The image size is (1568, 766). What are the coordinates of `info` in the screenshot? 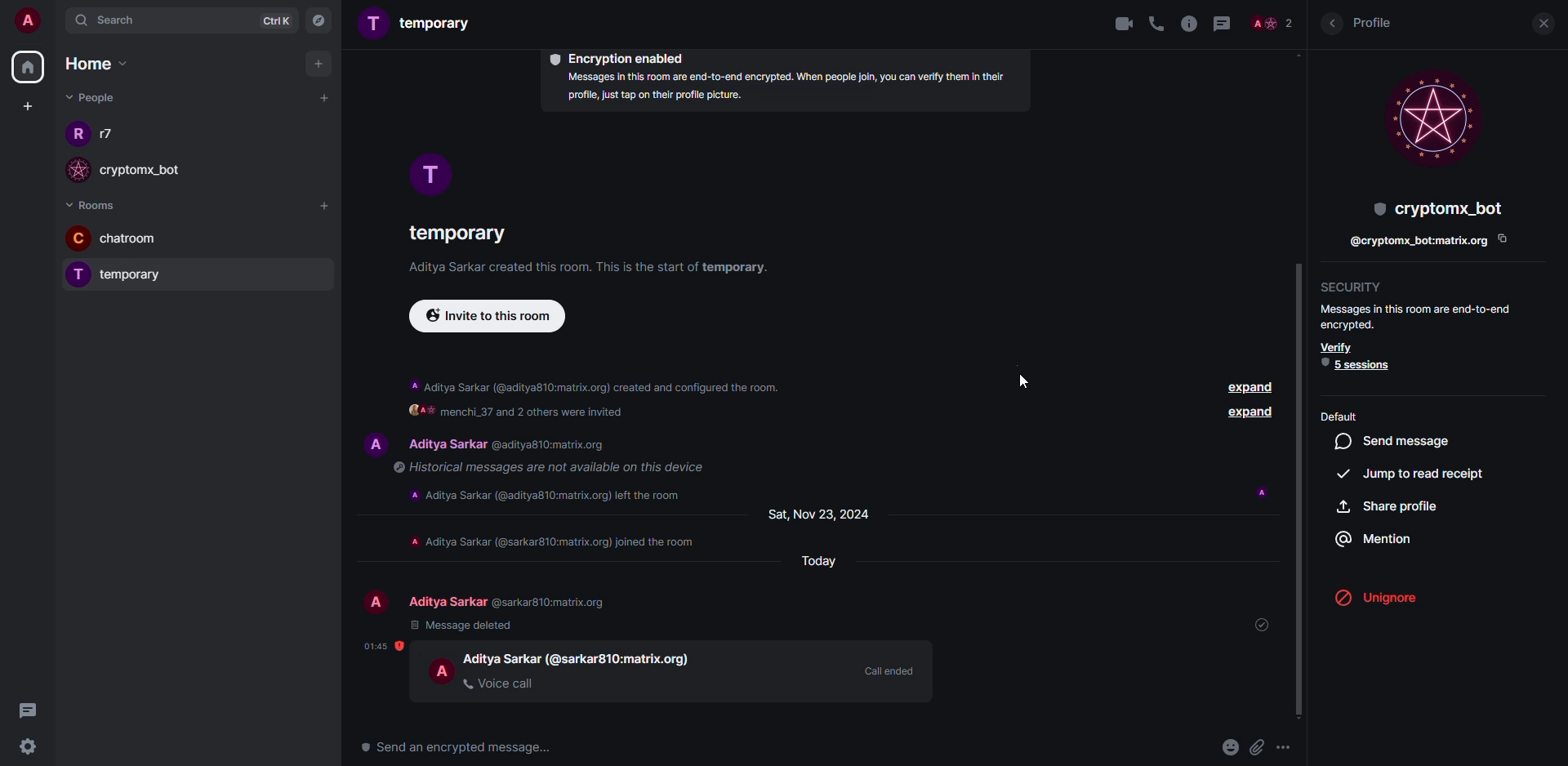 It's located at (555, 541).